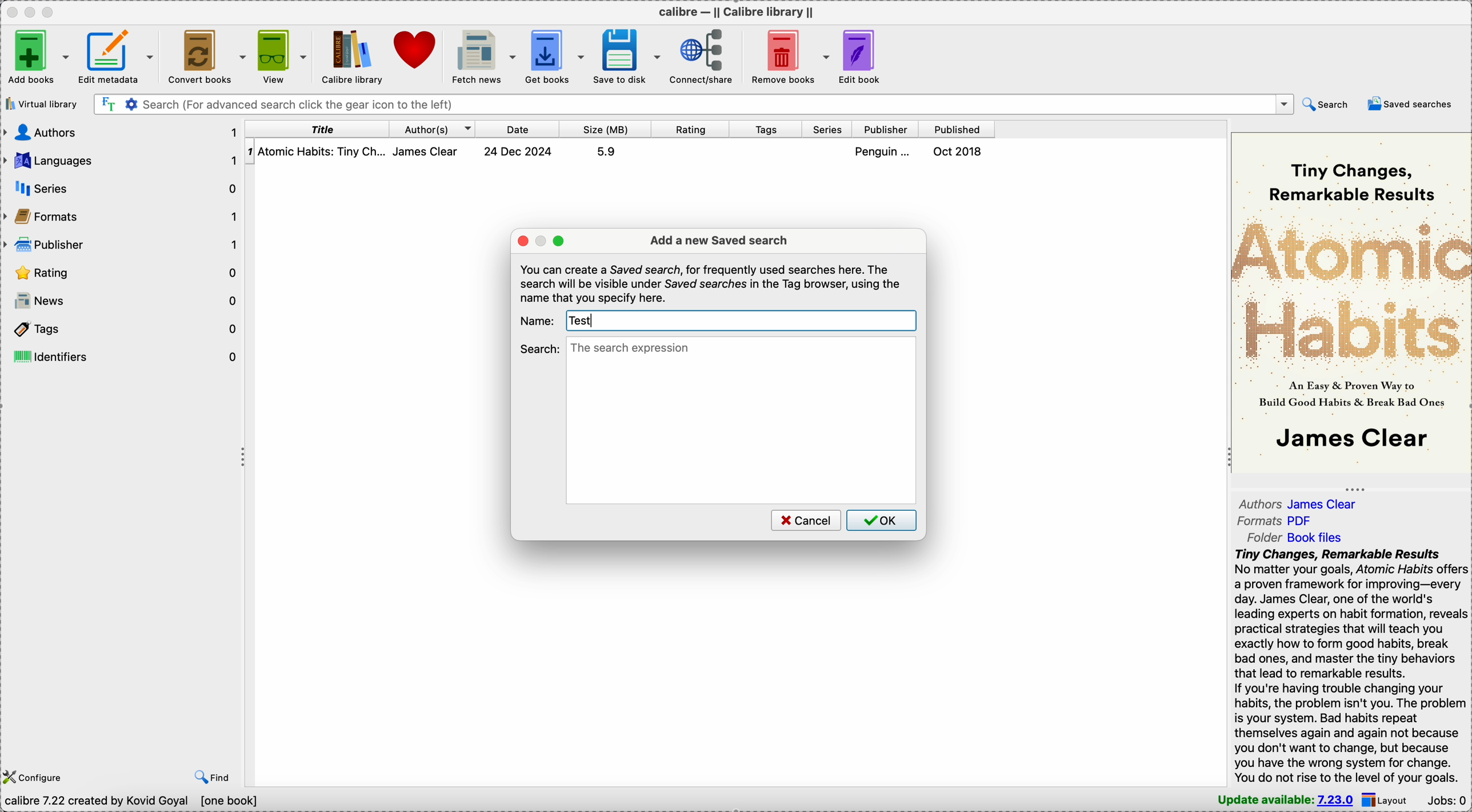 This screenshot has width=1472, height=812. Describe the element at coordinates (959, 151) in the screenshot. I see `Oct 2018` at that location.